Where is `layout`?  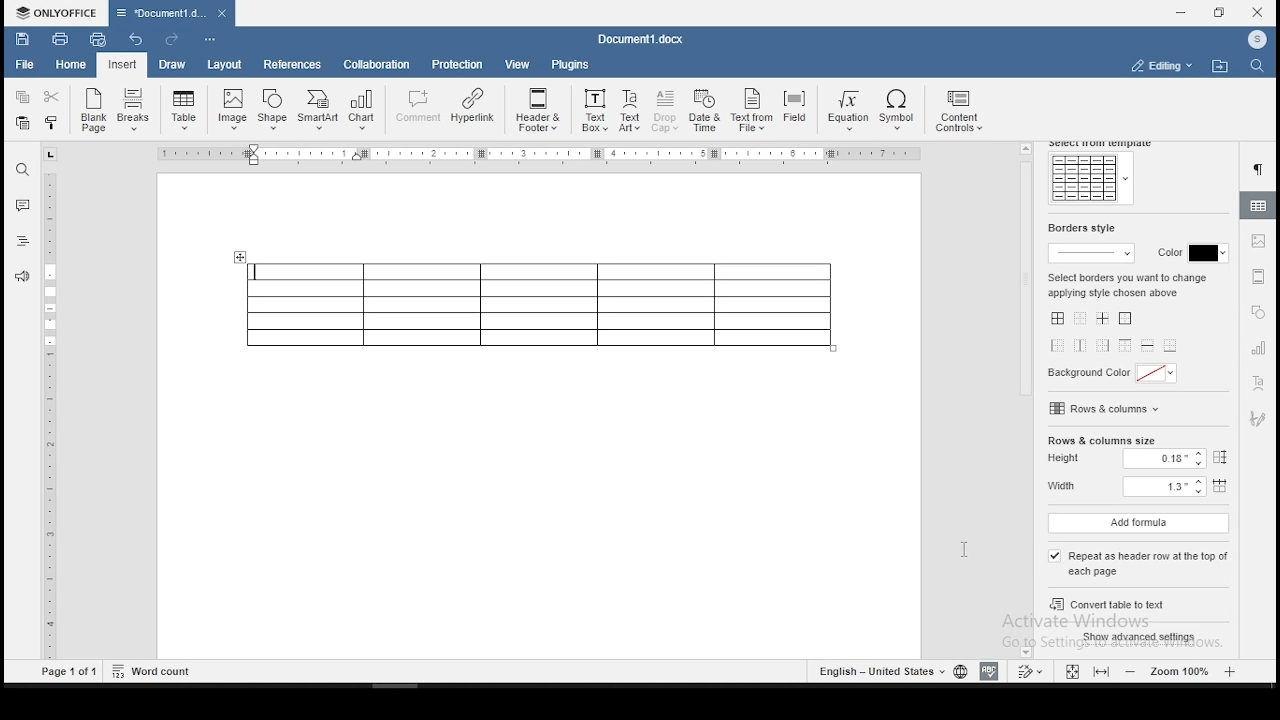 layout is located at coordinates (223, 65).